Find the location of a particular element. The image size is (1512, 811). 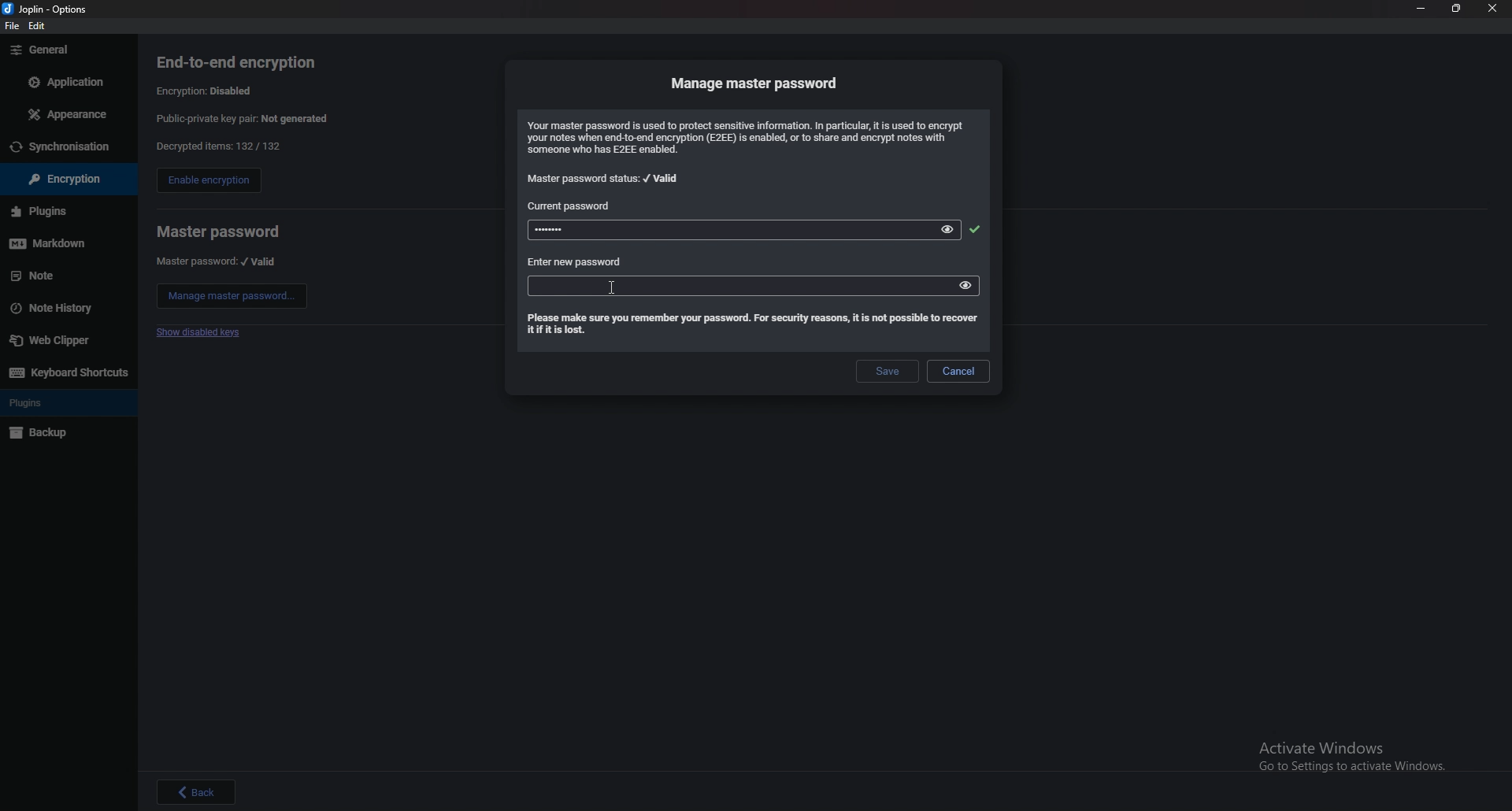

close is located at coordinates (1494, 9).